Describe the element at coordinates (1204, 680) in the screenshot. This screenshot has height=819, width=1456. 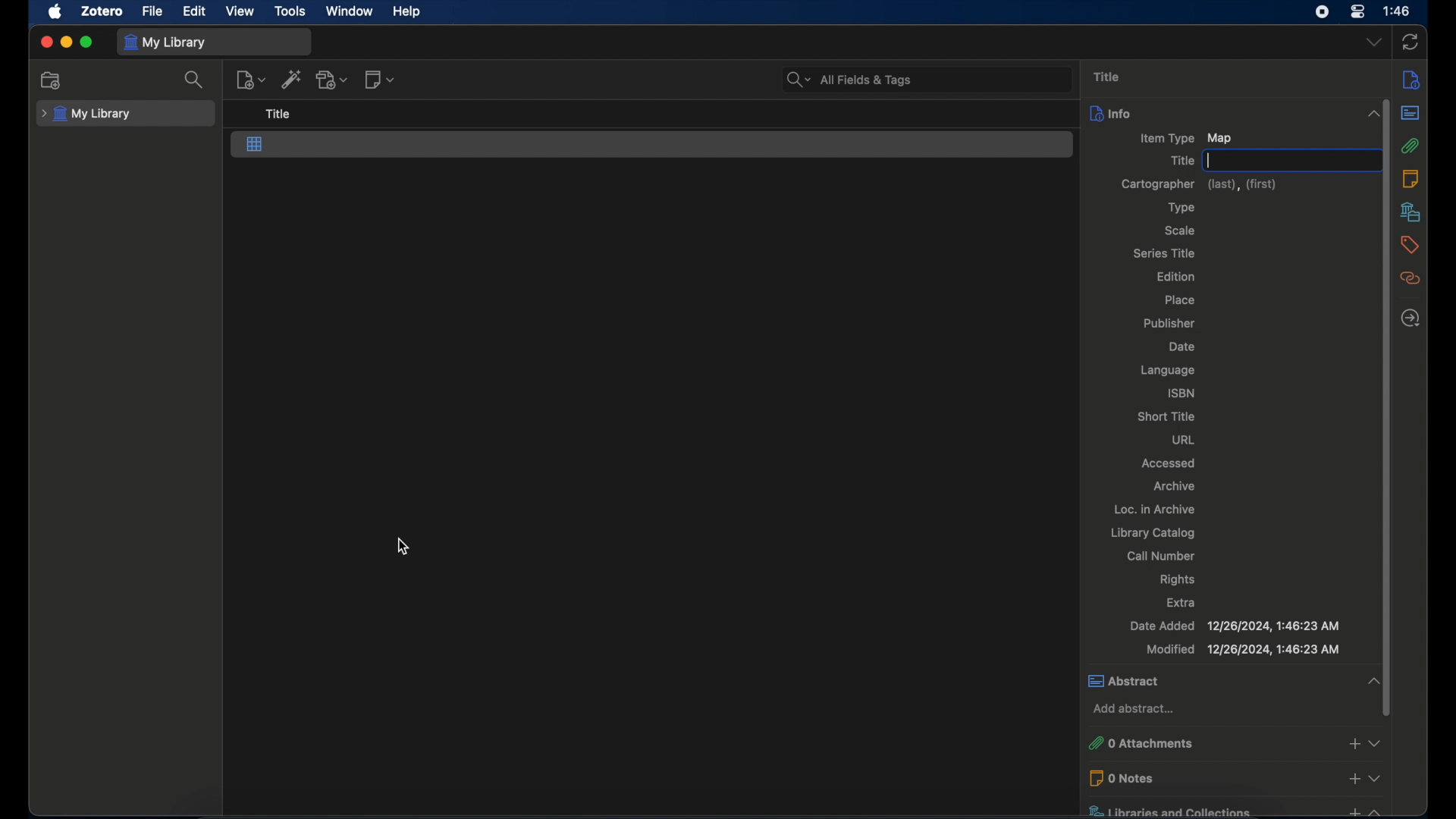
I see `abstract` at that location.